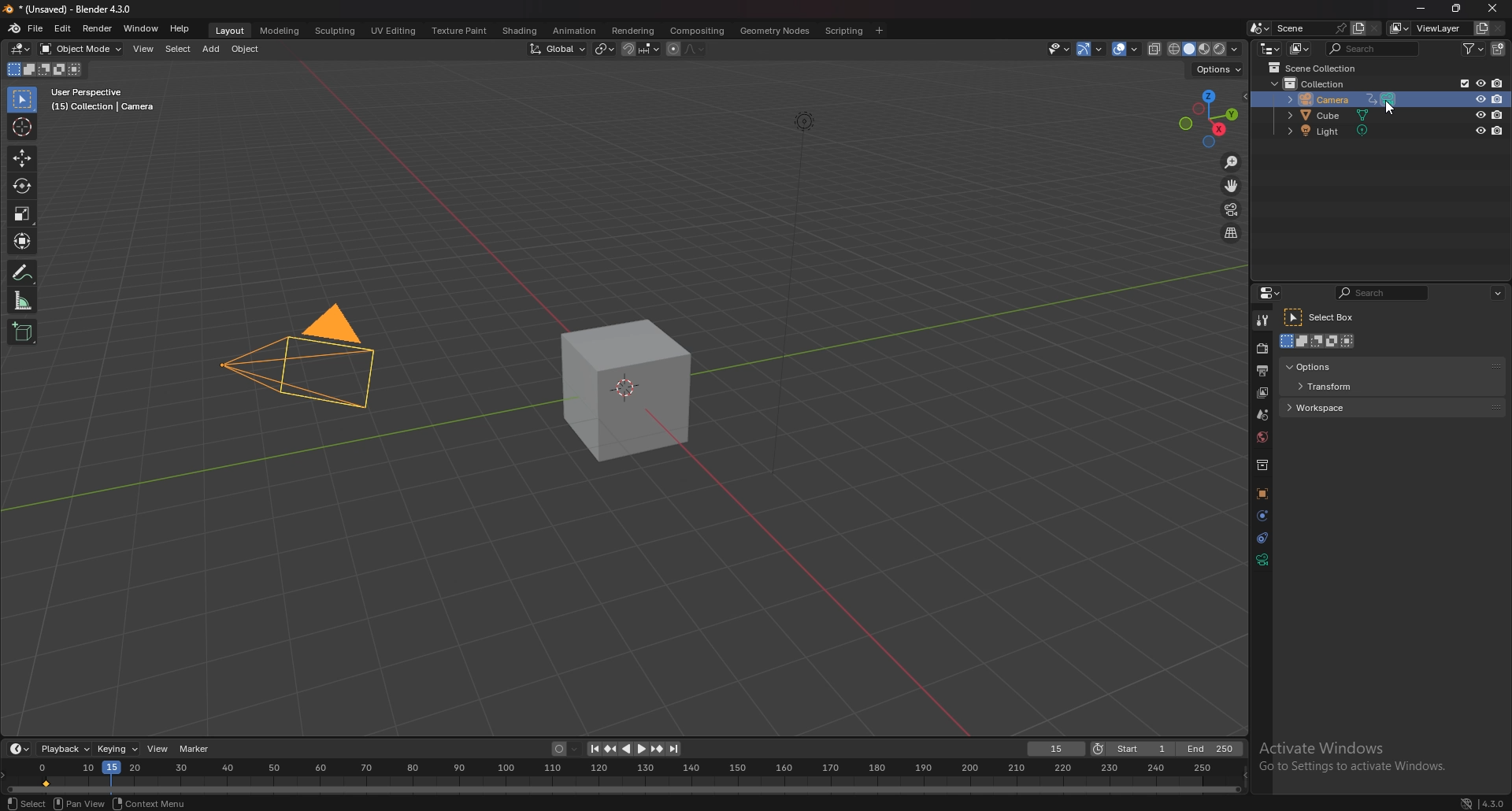  I want to click on workspace, so click(1335, 406).